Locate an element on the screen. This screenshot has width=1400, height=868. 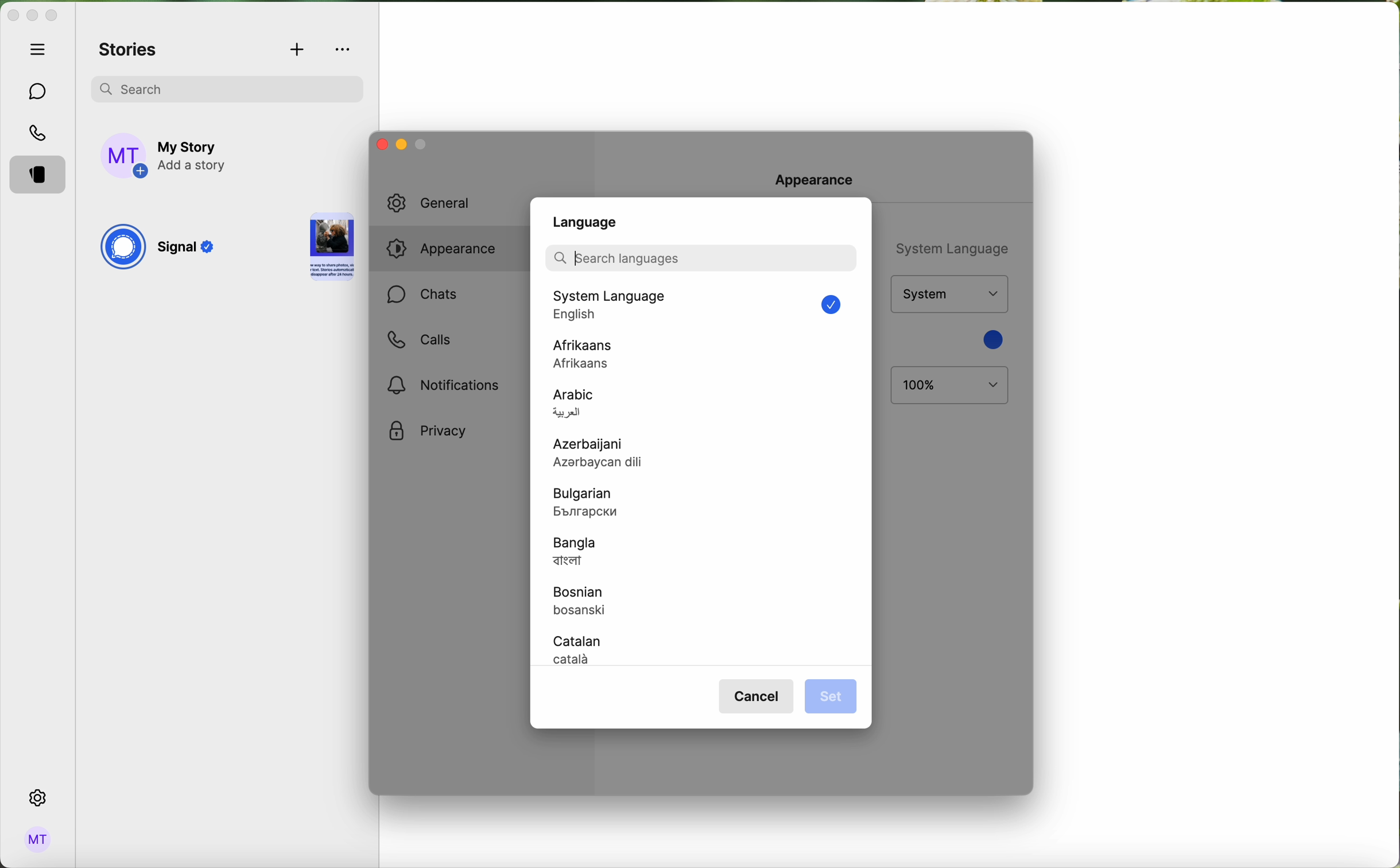
Signal is located at coordinates (189, 250).